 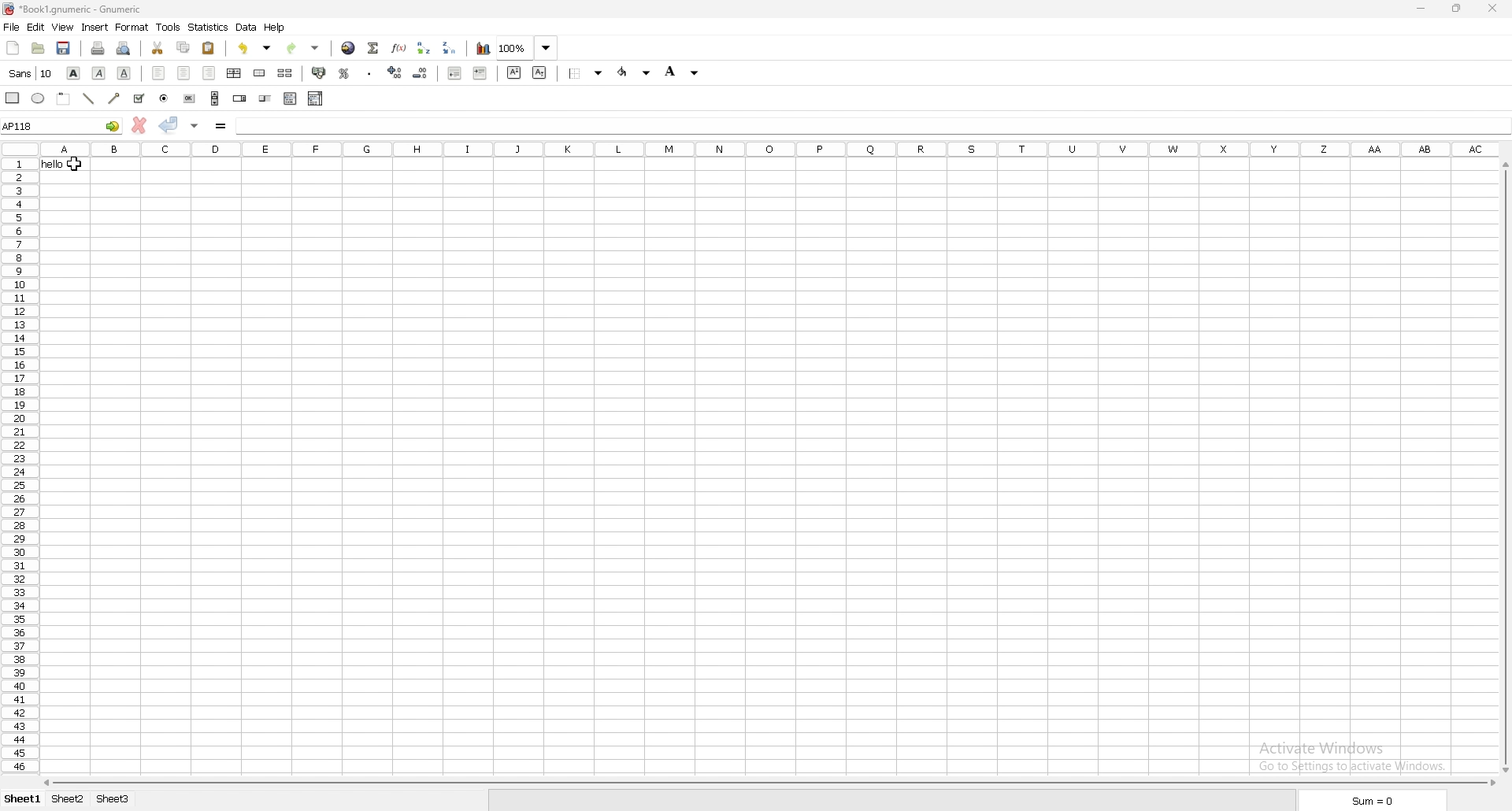 I want to click on columns, so click(x=769, y=147).